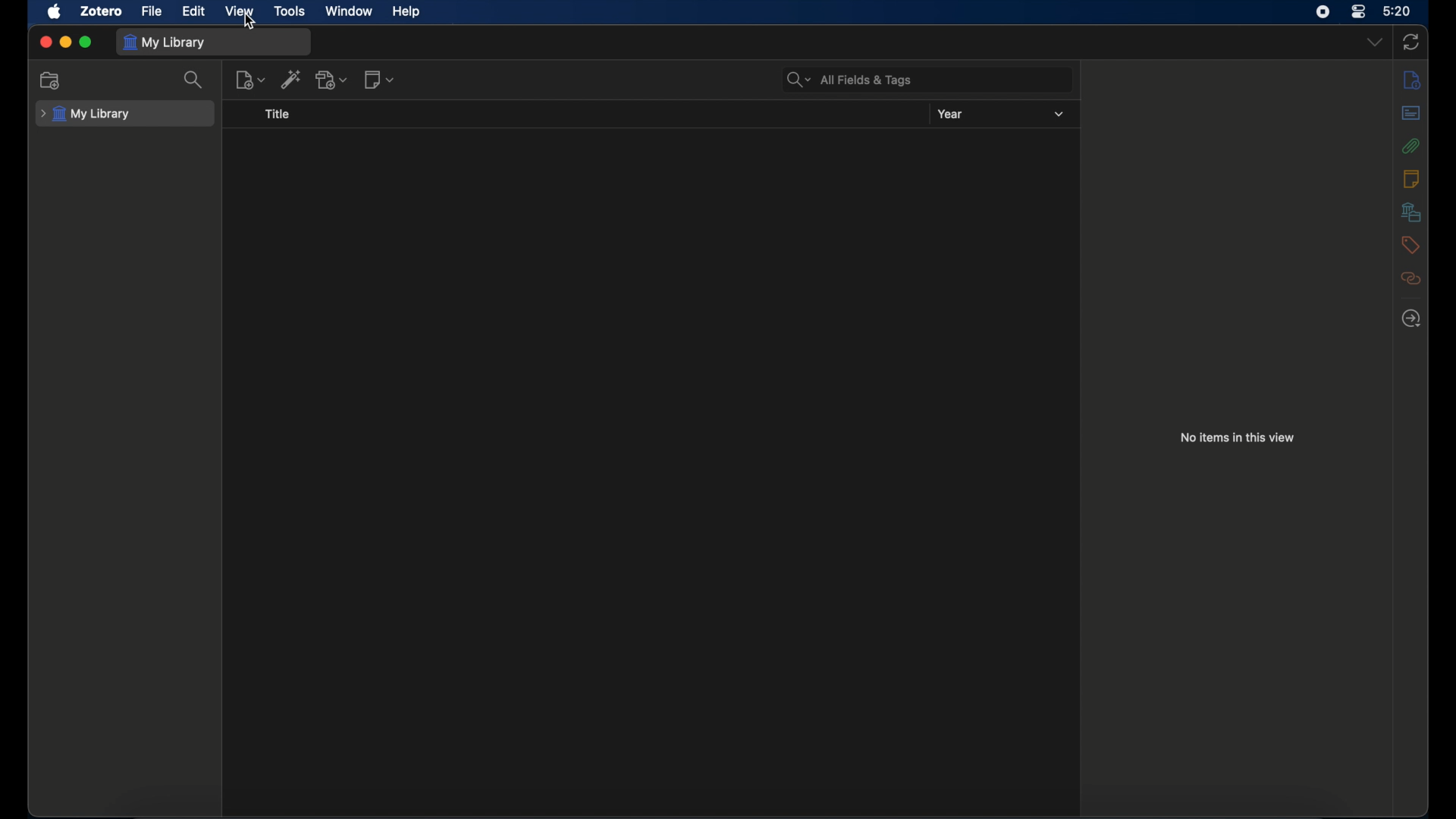 This screenshot has height=819, width=1456. What do you see at coordinates (251, 79) in the screenshot?
I see `new item` at bounding box center [251, 79].